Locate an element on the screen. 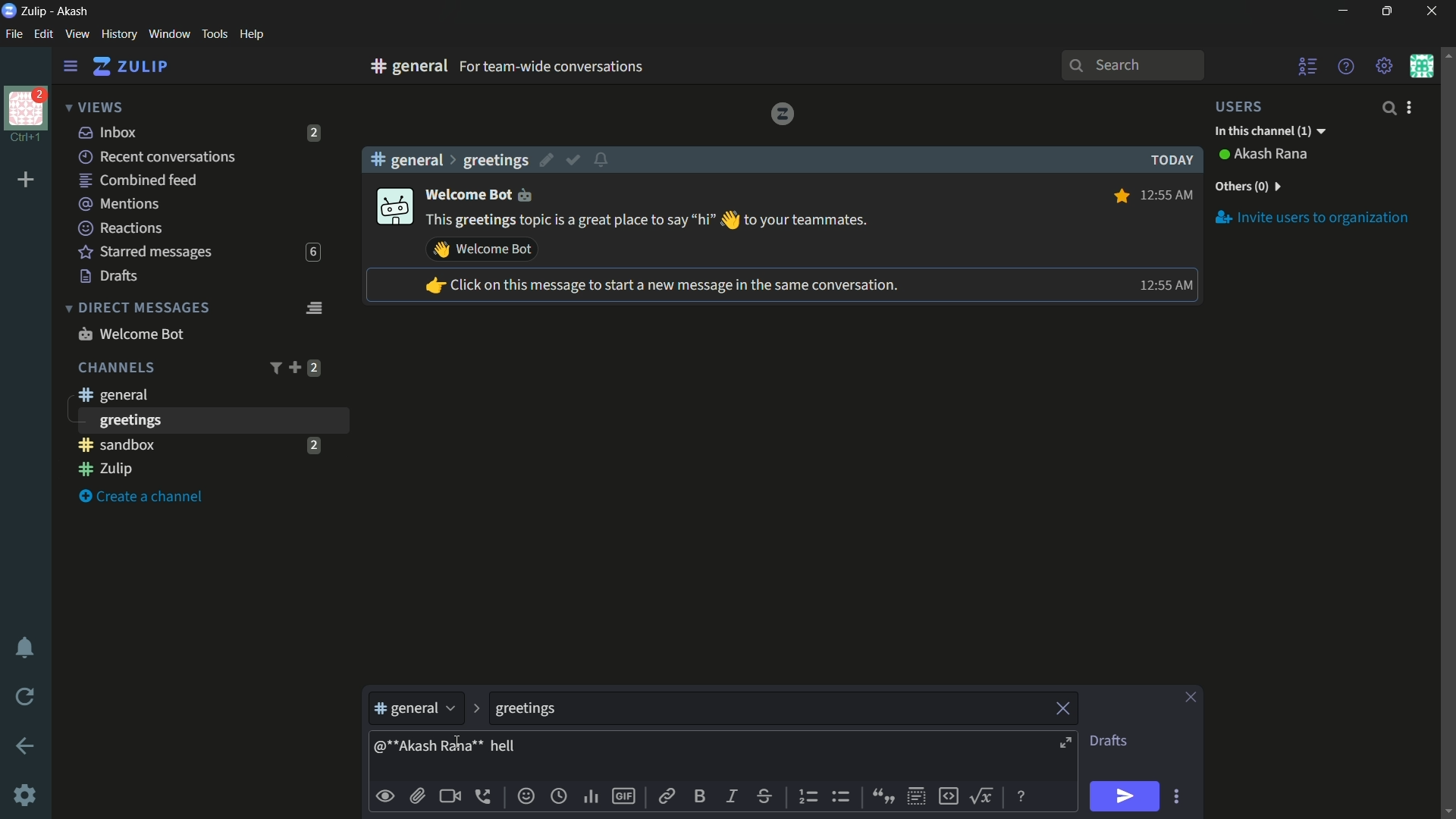  invite users to organization is located at coordinates (1313, 217).